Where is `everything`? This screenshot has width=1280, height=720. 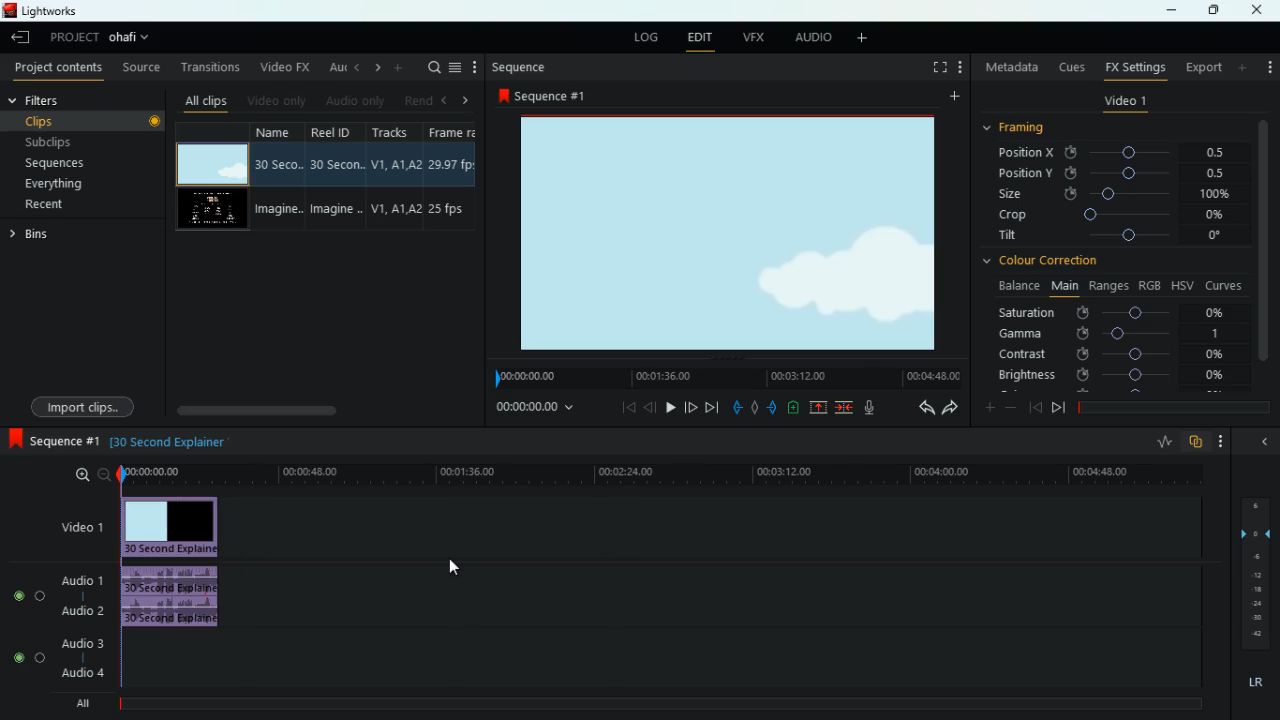
everything is located at coordinates (57, 186).